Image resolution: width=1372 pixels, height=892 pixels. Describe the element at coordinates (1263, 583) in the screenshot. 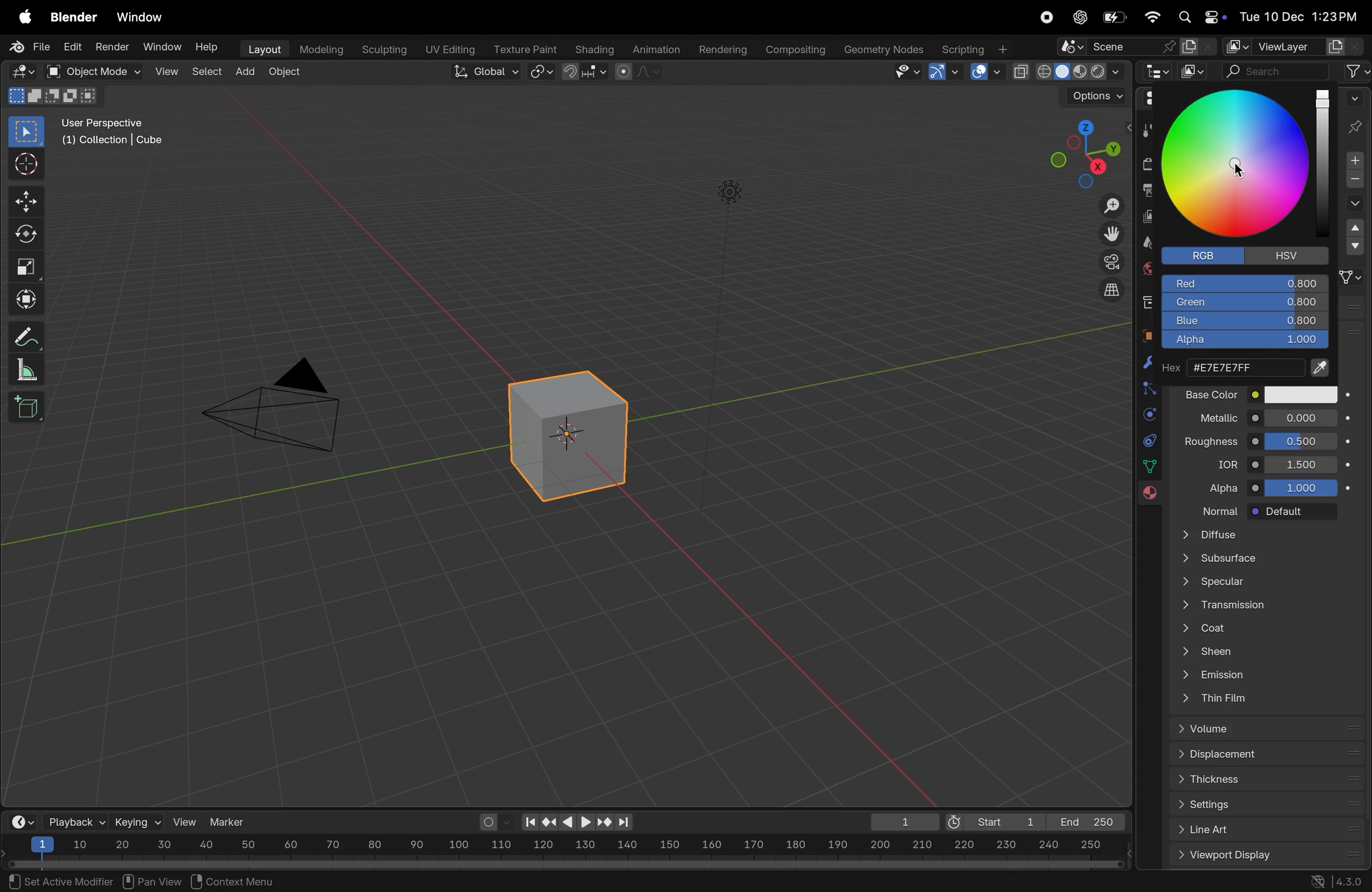

I see `specular` at that location.